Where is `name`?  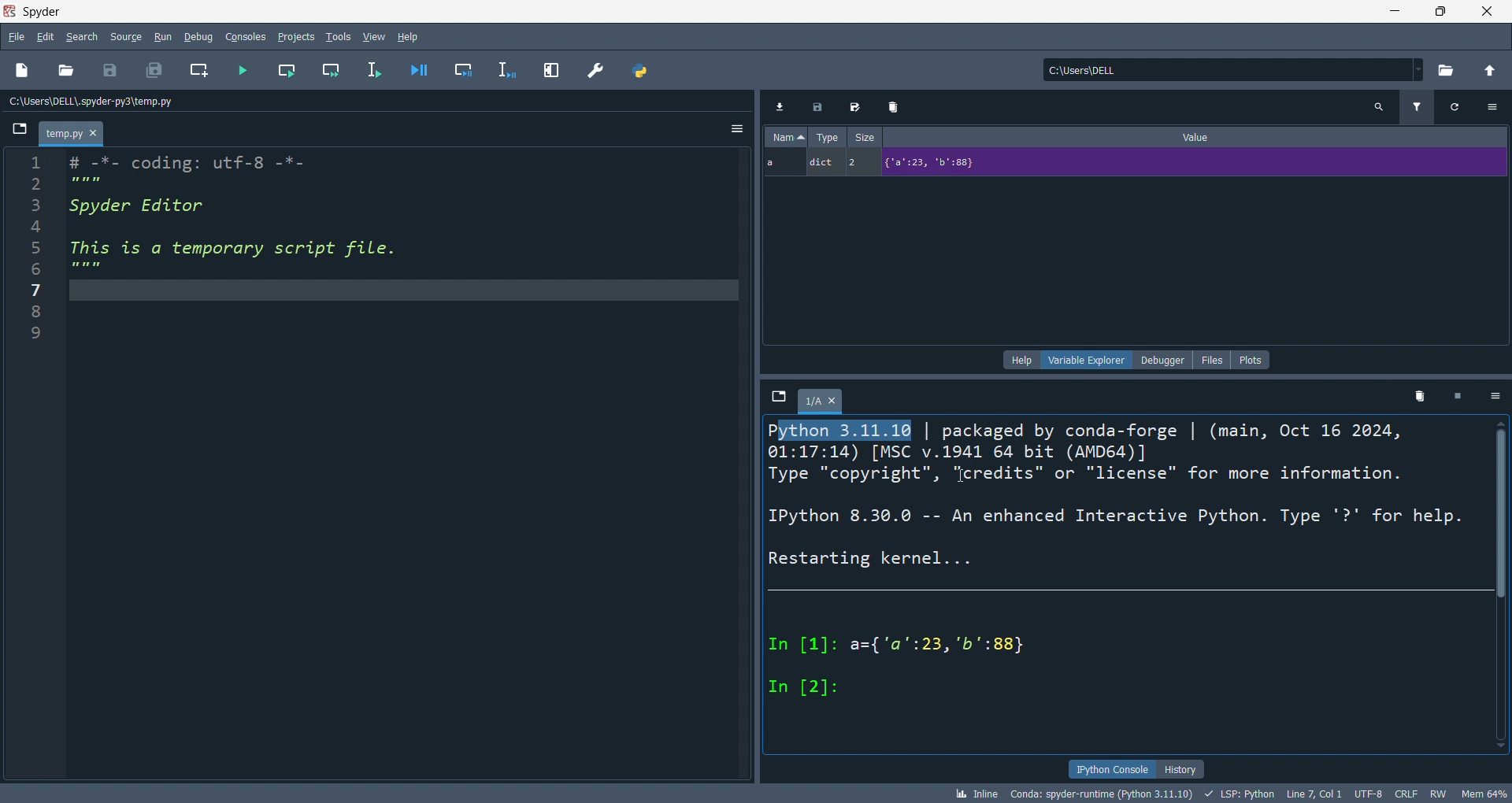 name is located at coordinates (787, 136).